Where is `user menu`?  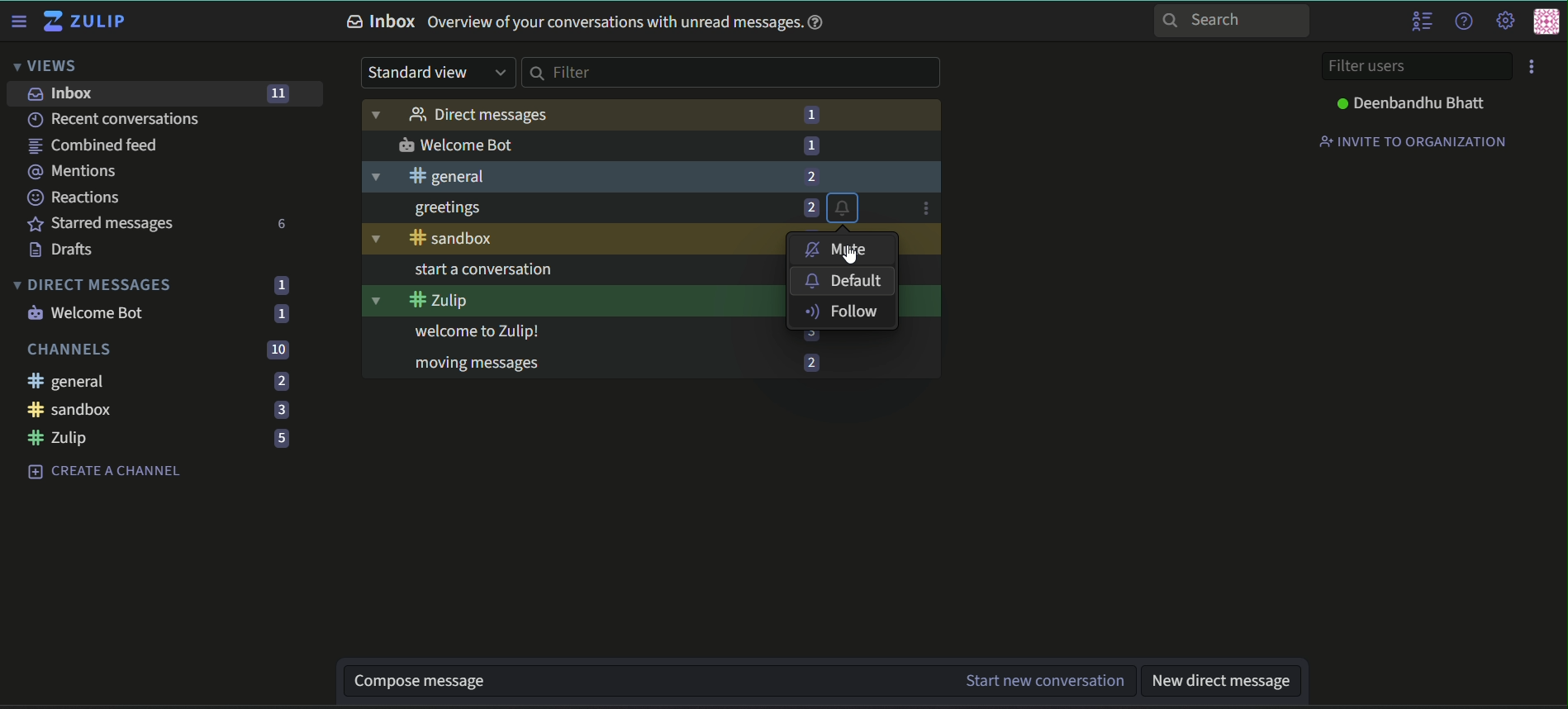
user menu is located at coordinates (1547, 23).